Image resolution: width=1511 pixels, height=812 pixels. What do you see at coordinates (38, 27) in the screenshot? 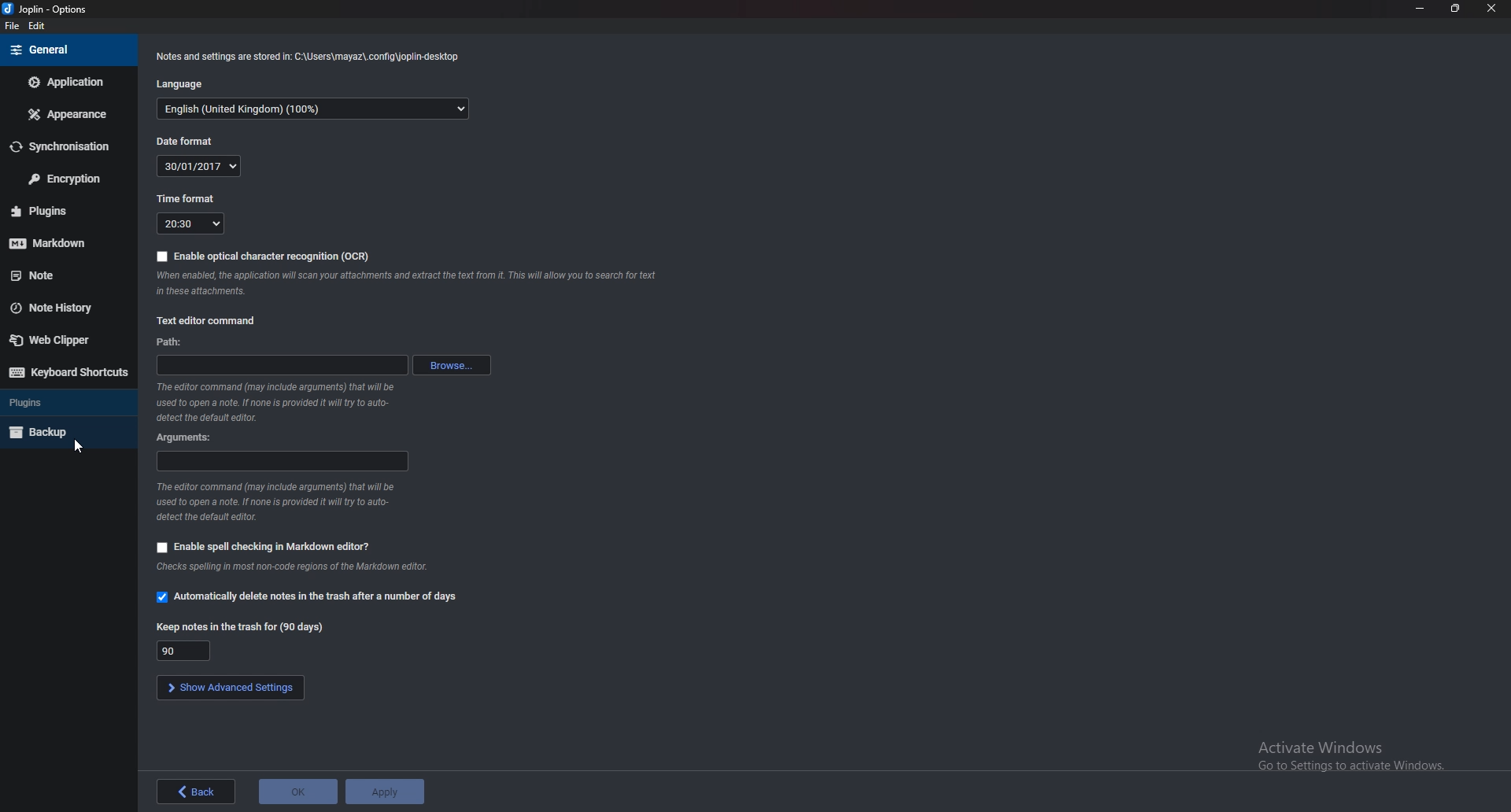
I see `edit` at bounding box center [38, 27].